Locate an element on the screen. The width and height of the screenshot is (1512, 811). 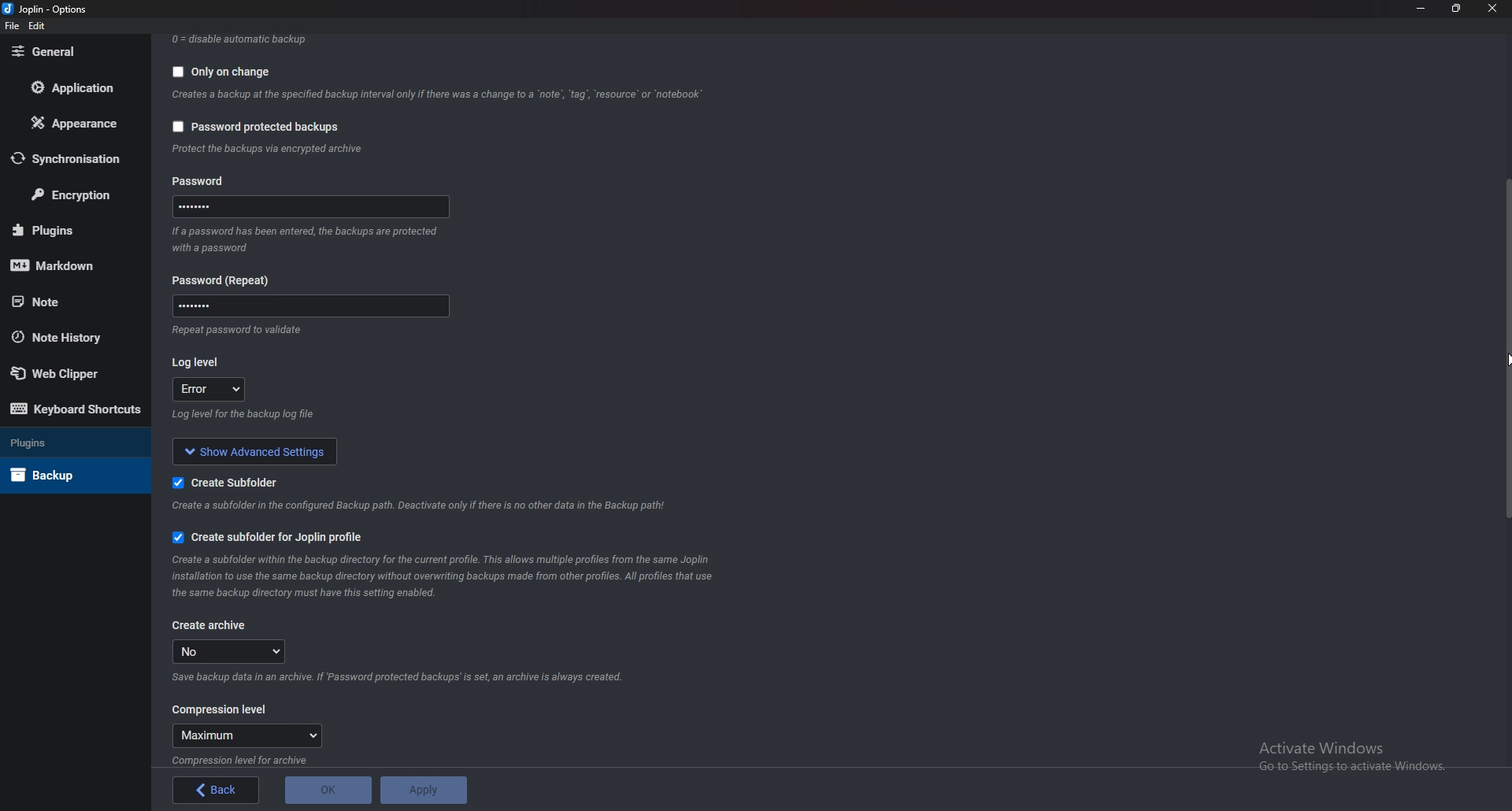
edit is located at coordinates (39, 26).